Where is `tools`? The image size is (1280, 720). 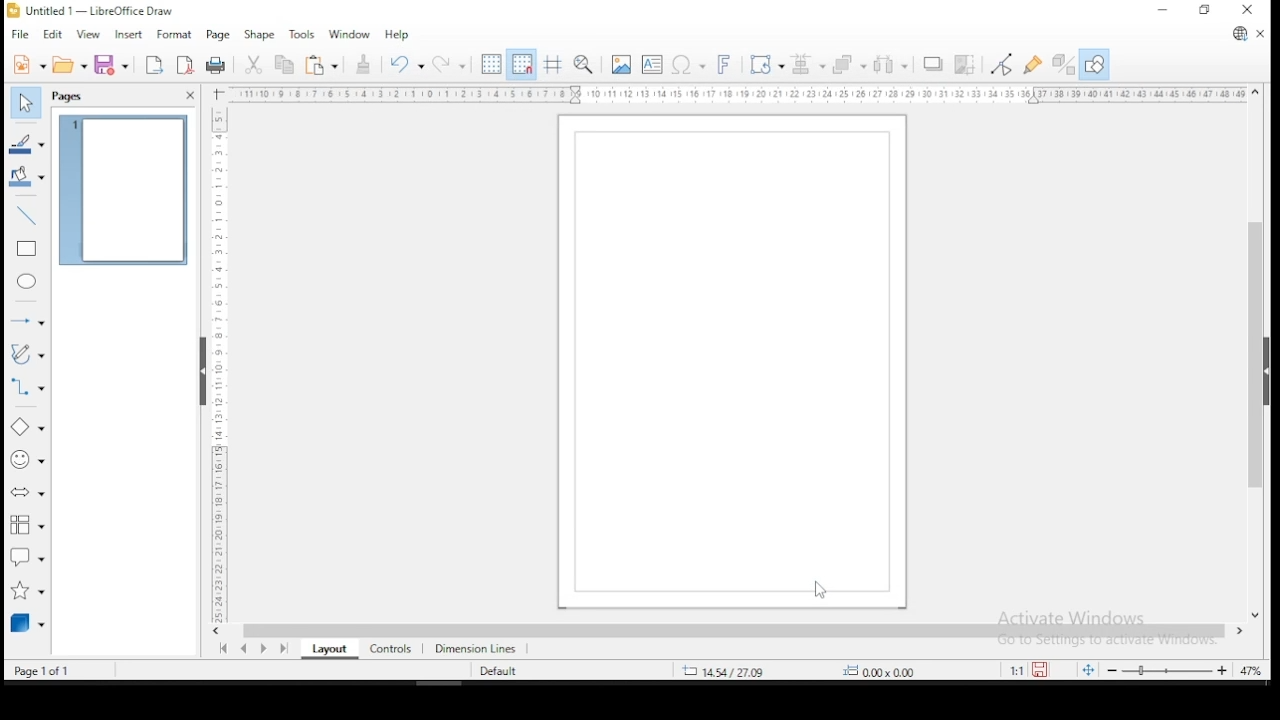
tools is located at coordinates (303, 33).